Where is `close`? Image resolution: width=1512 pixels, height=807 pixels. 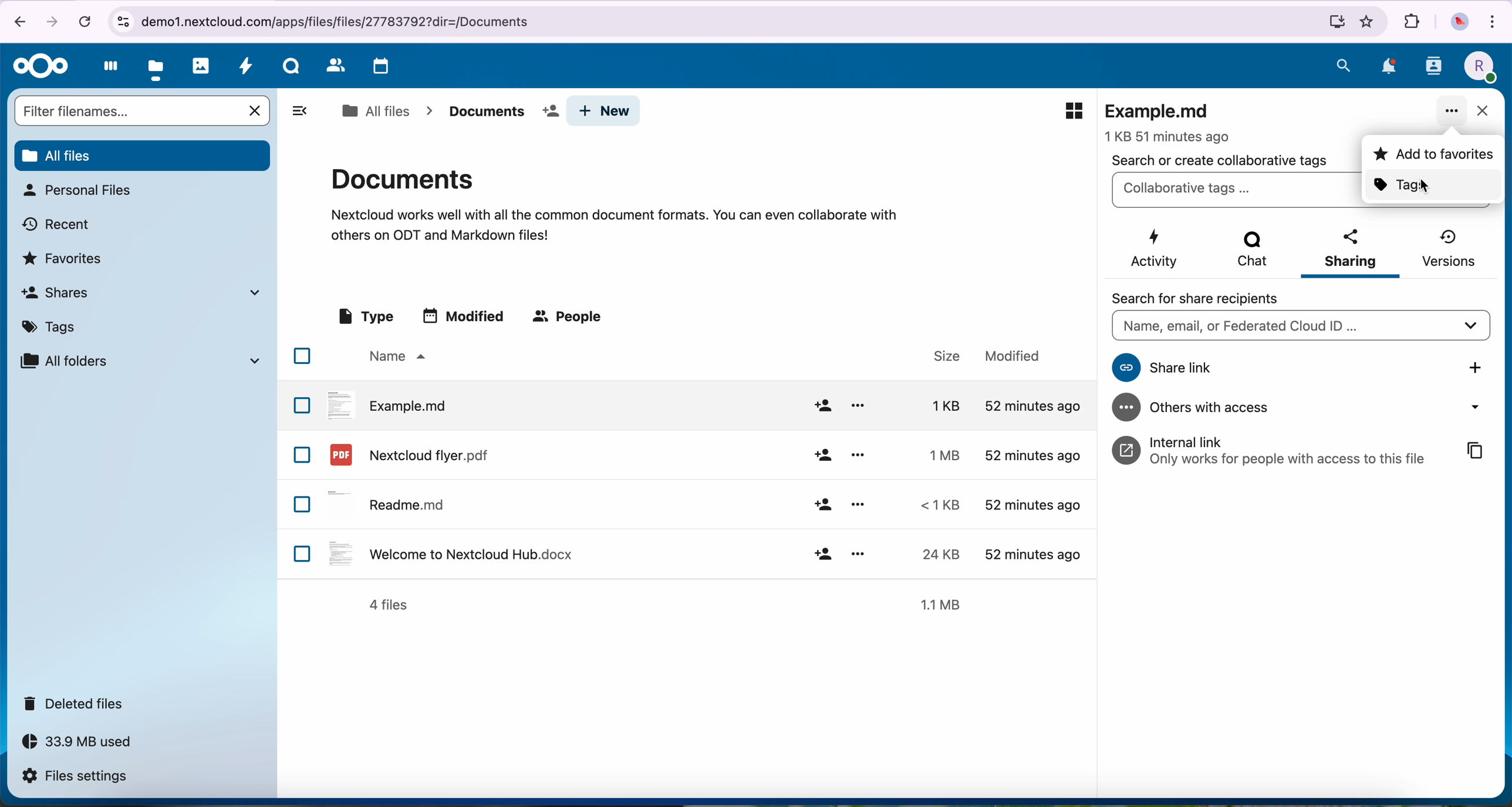 close is located at coordinates (1481, 112).